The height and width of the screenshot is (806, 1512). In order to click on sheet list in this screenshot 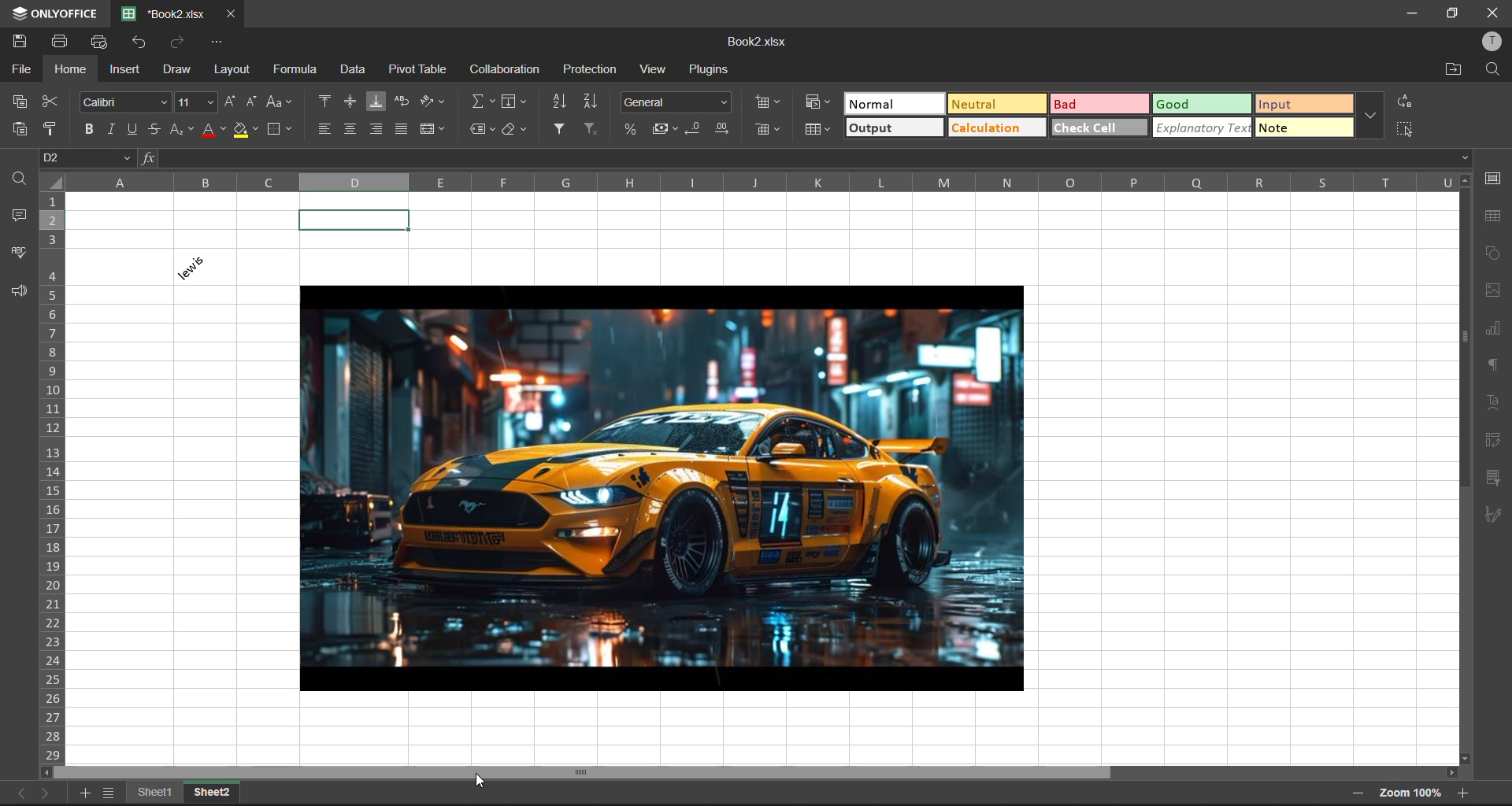, I will do `click(112, 794)`.